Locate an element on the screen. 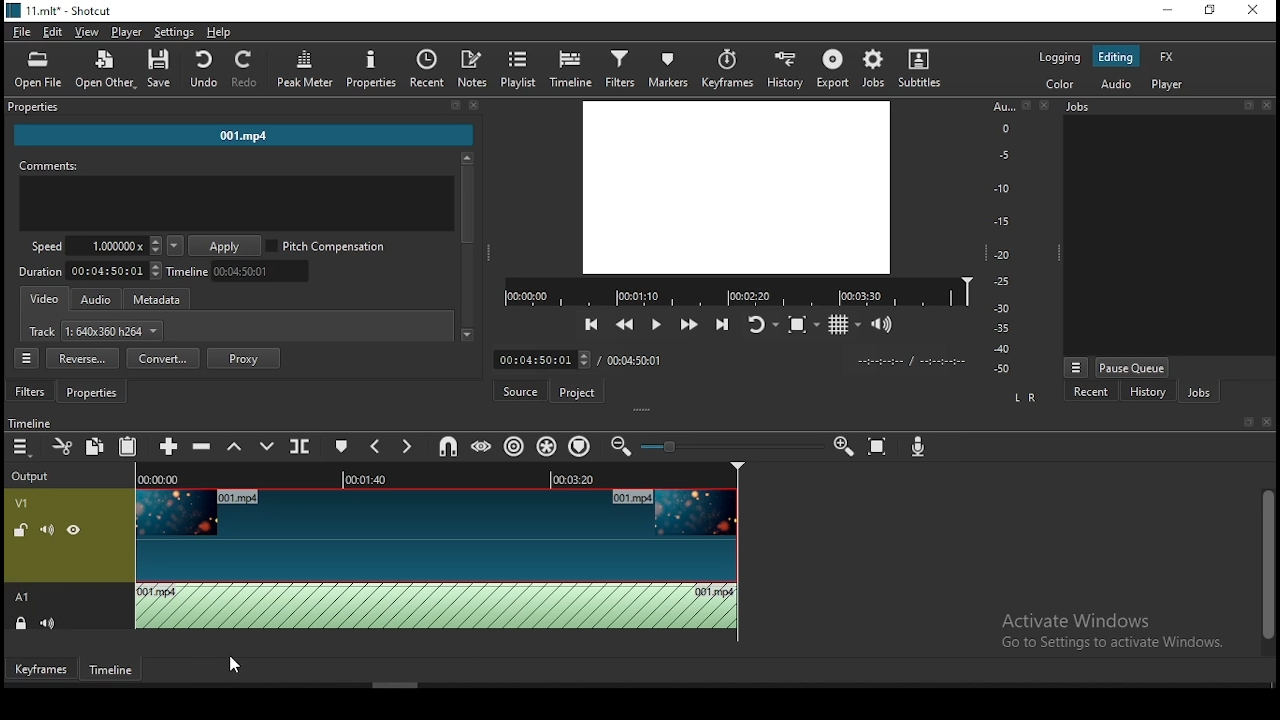 This screenshot has height=720, width=1280. A1 is located at coordinates (42, 598).